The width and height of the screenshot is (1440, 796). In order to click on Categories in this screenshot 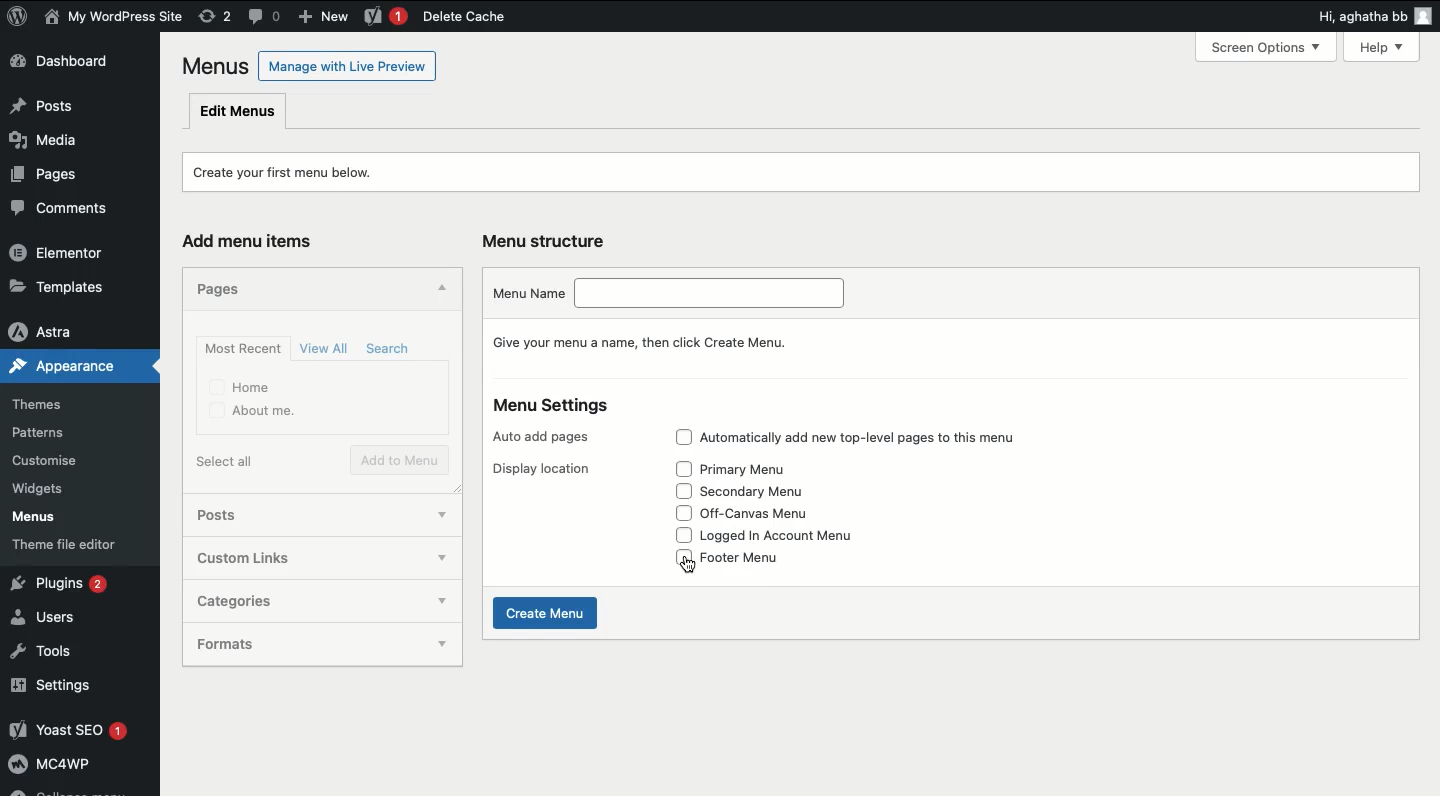, I will do `click(297, 600)`.